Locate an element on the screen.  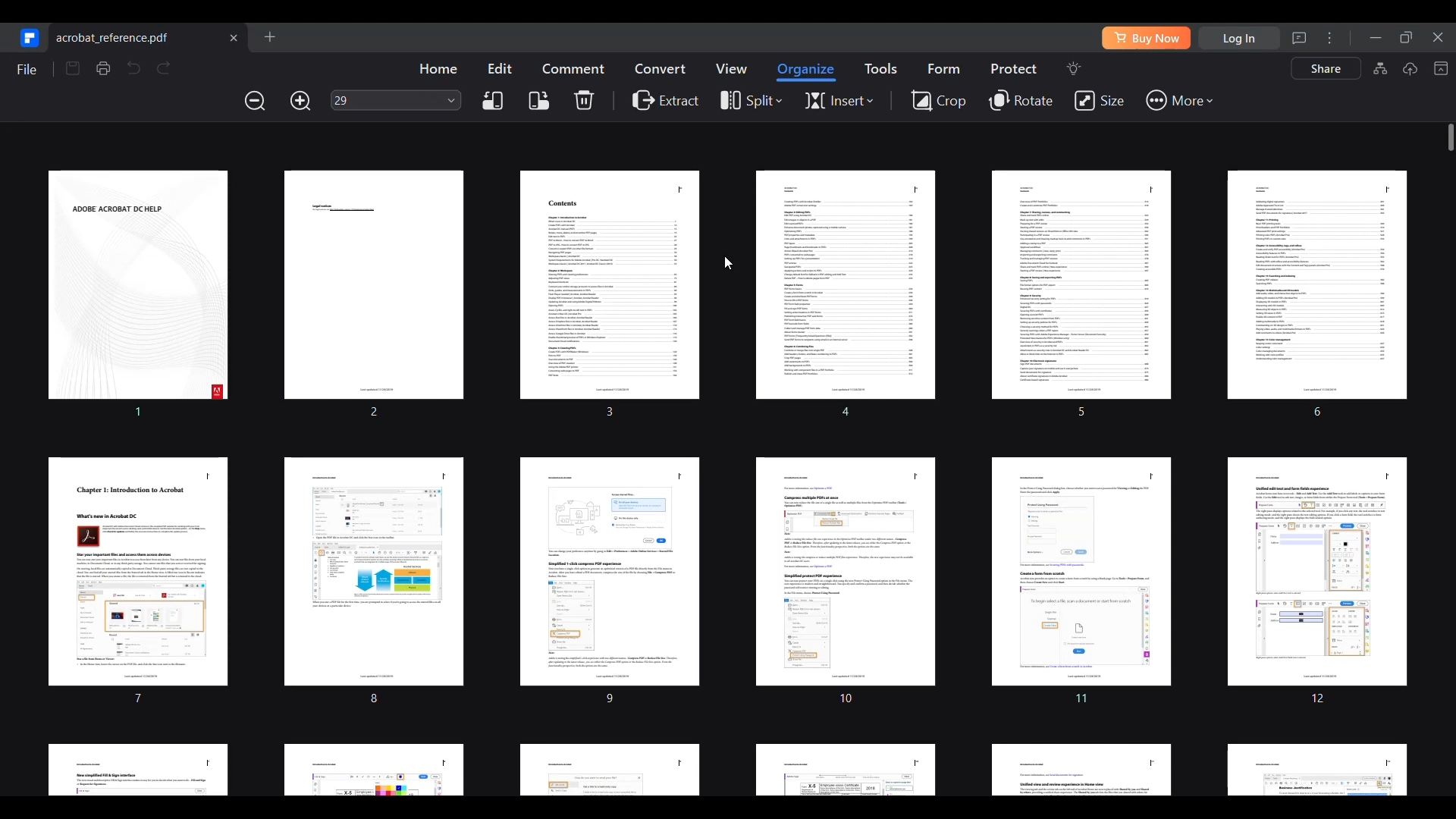
Print is located at coordinates (102, 68).